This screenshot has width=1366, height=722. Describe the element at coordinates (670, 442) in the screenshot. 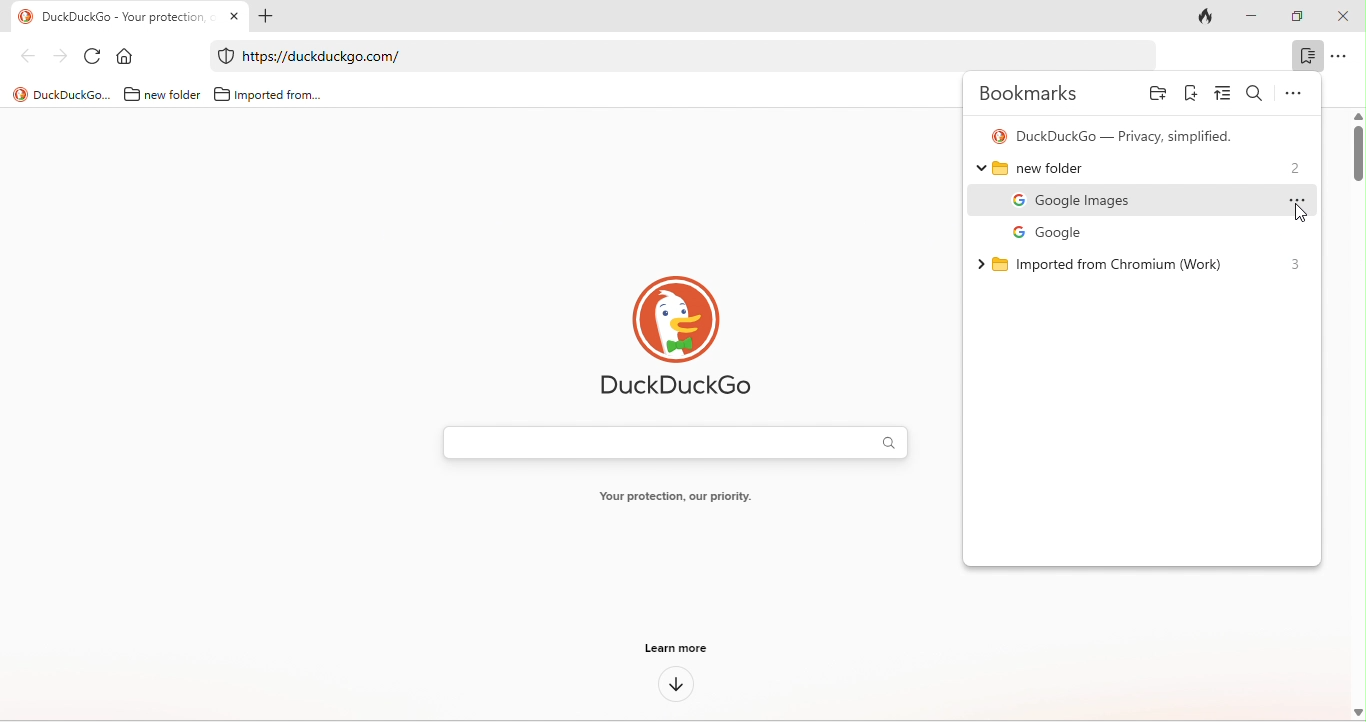

I see `search bar` at that location.